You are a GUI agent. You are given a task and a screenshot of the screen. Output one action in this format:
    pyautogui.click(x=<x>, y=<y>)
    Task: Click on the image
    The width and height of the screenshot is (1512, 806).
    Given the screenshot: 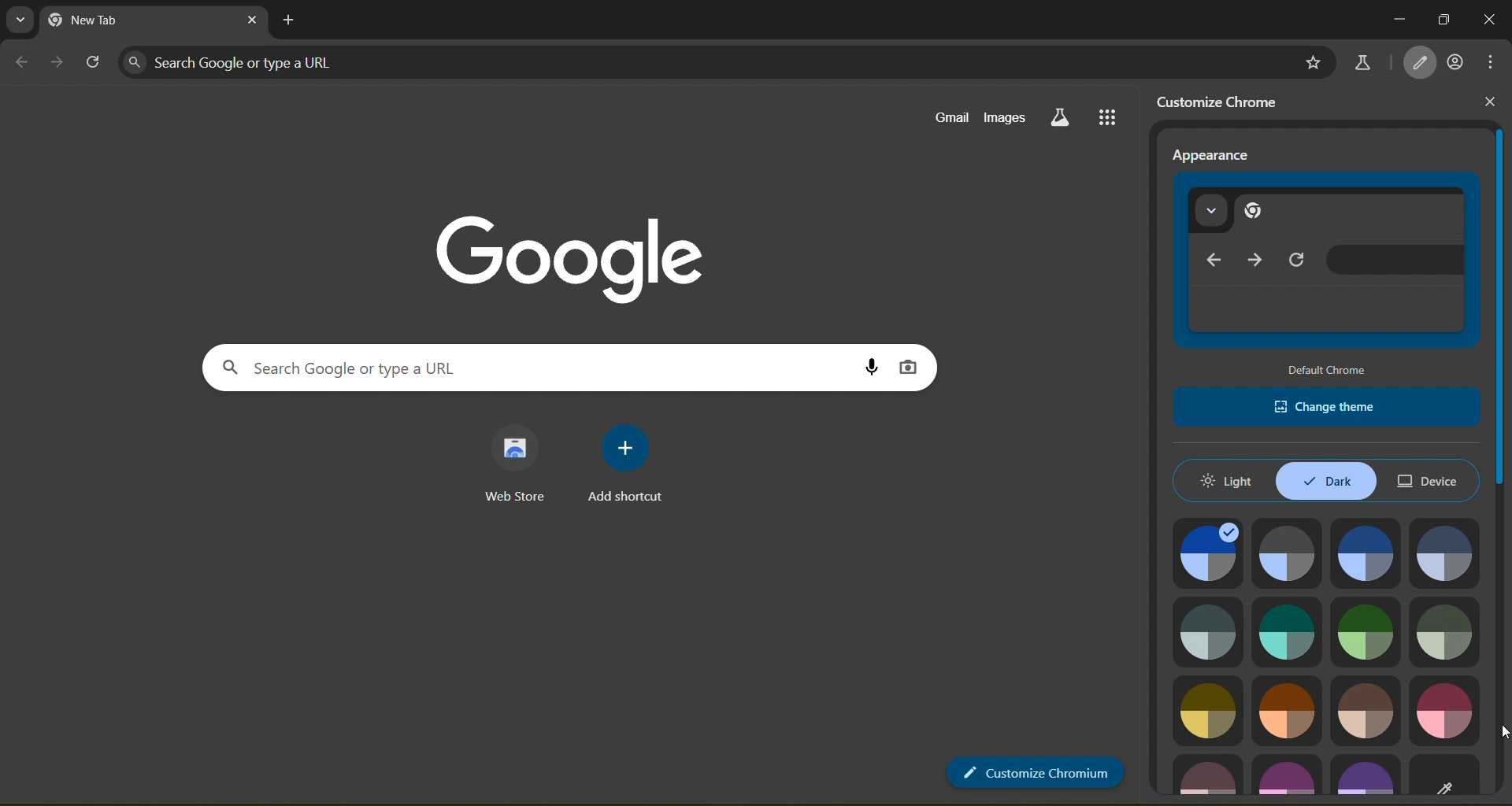 What is the action you would take?
    pyautogui.click(x=1288, y=709)
    